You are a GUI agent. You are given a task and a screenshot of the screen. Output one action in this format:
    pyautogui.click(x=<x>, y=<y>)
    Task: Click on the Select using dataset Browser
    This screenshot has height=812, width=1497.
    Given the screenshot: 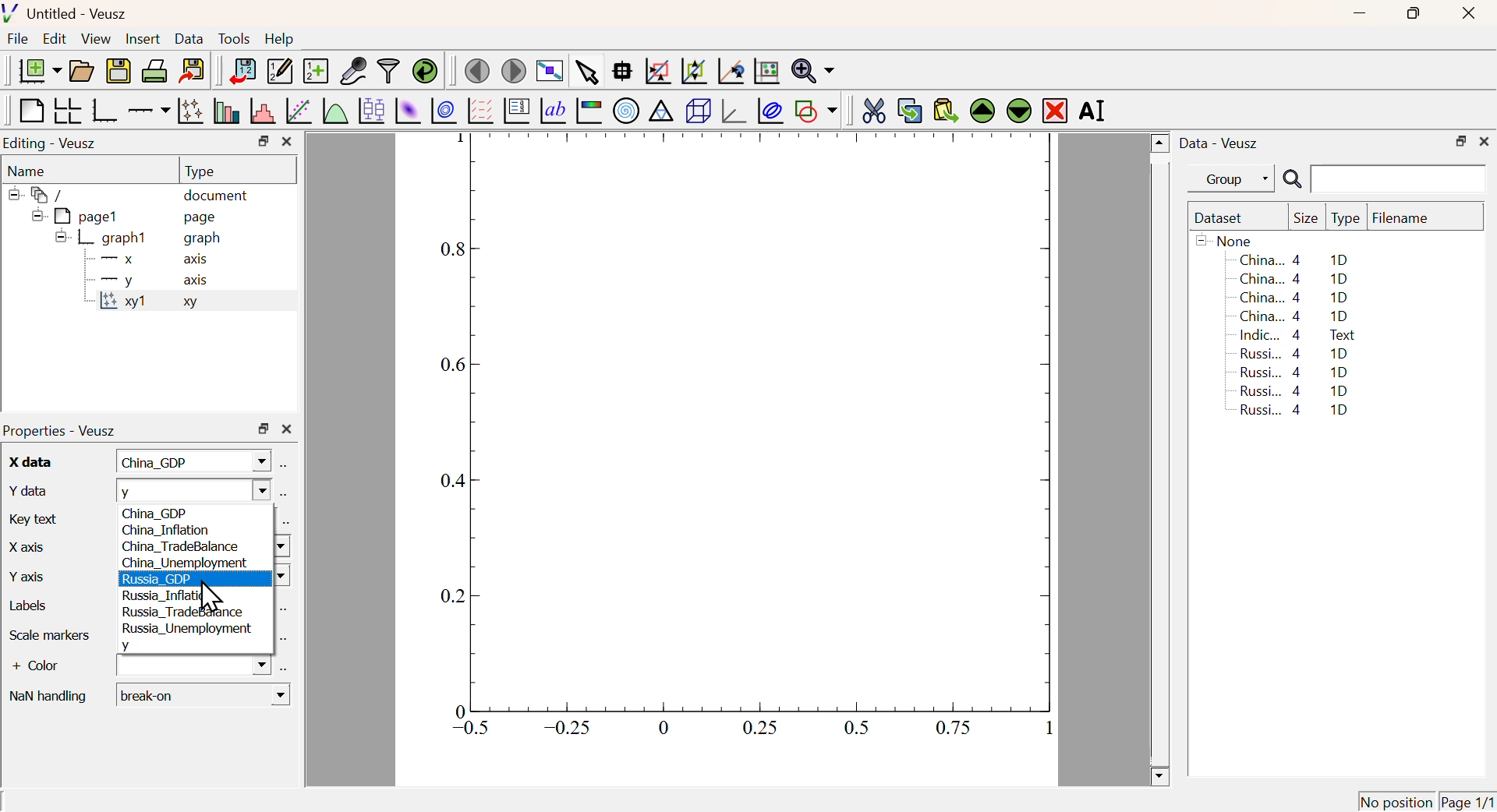 What is the action you would take?
    pyautogui.click(x=285, y=642)
    